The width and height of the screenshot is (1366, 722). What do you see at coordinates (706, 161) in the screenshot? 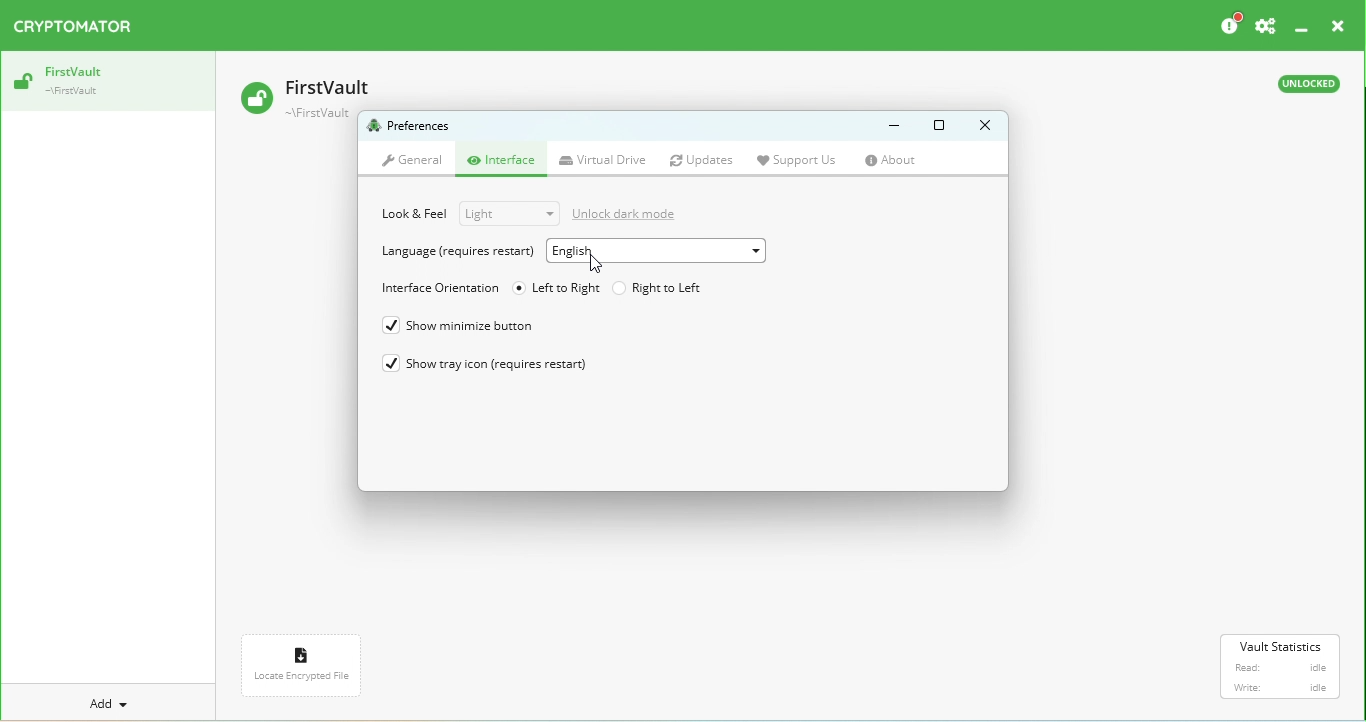
I see `Updates` at bounding box center [706, 161].